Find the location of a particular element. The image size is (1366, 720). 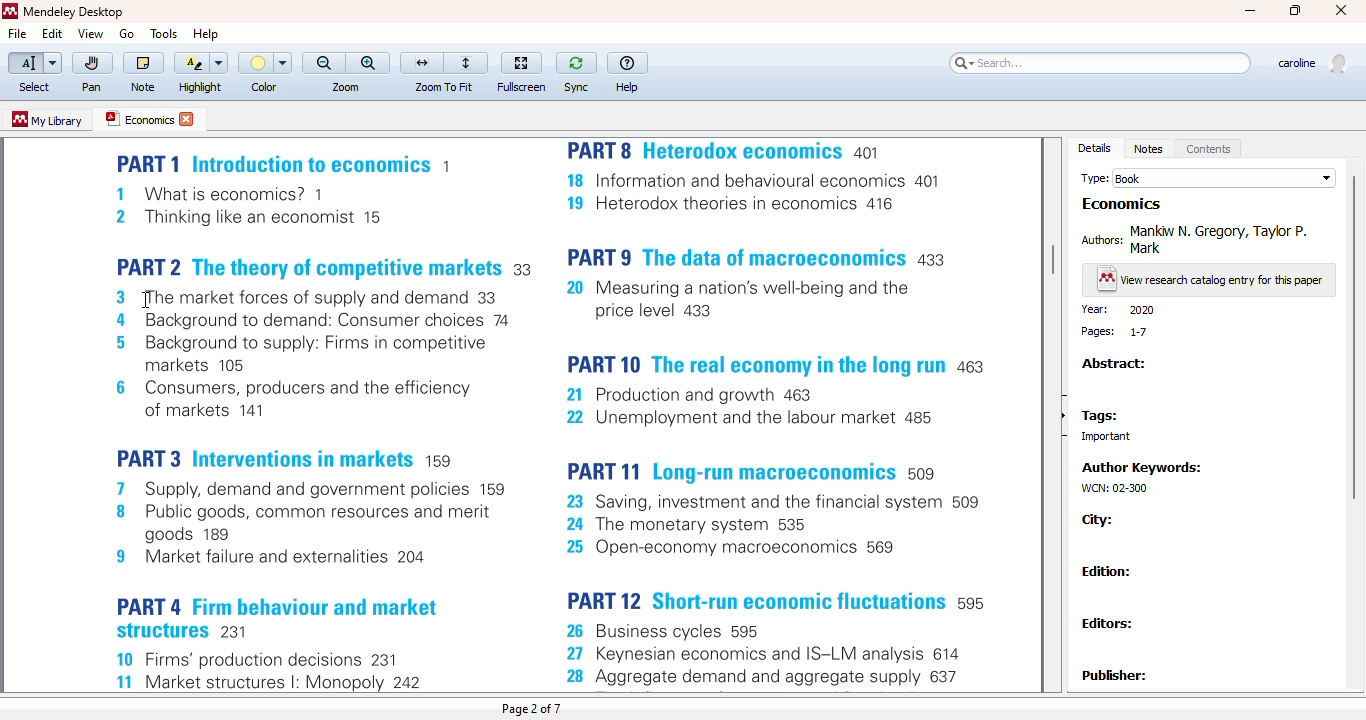

editors is located at coordinates (1110, 622).